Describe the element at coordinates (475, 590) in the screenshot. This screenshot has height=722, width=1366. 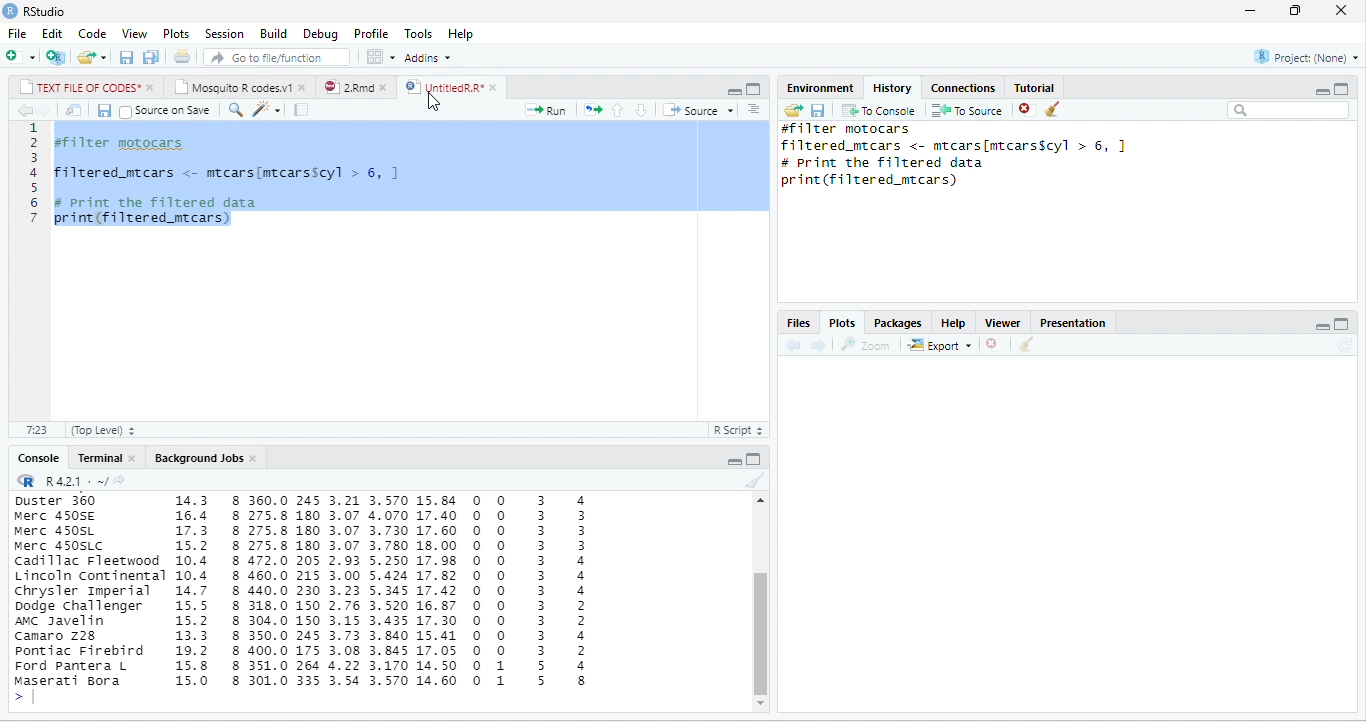
I see `0000000000000` at that location.